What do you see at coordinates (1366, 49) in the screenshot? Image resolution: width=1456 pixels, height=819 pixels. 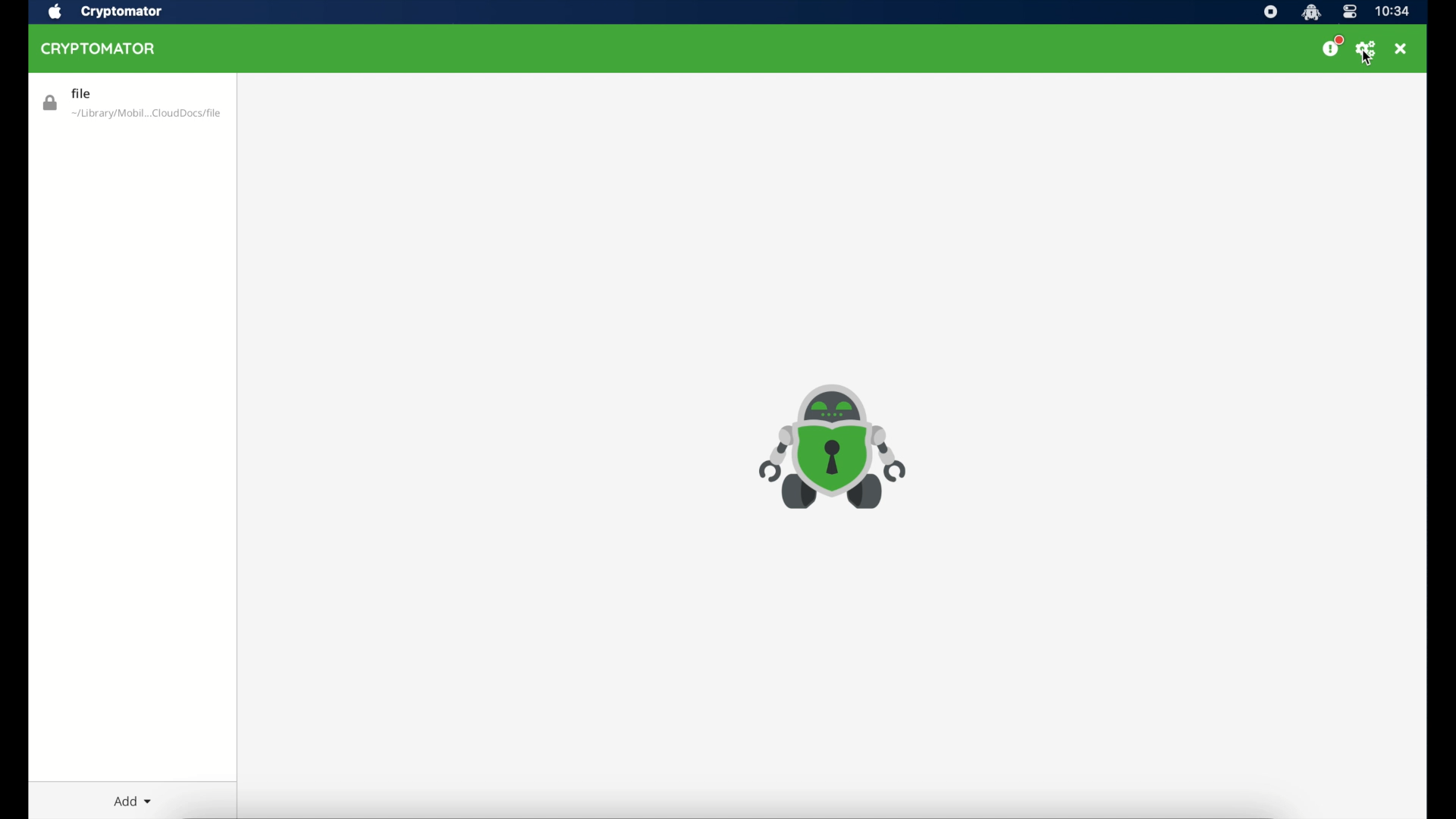 I see `preferences` at bounding box center [1366, 49].